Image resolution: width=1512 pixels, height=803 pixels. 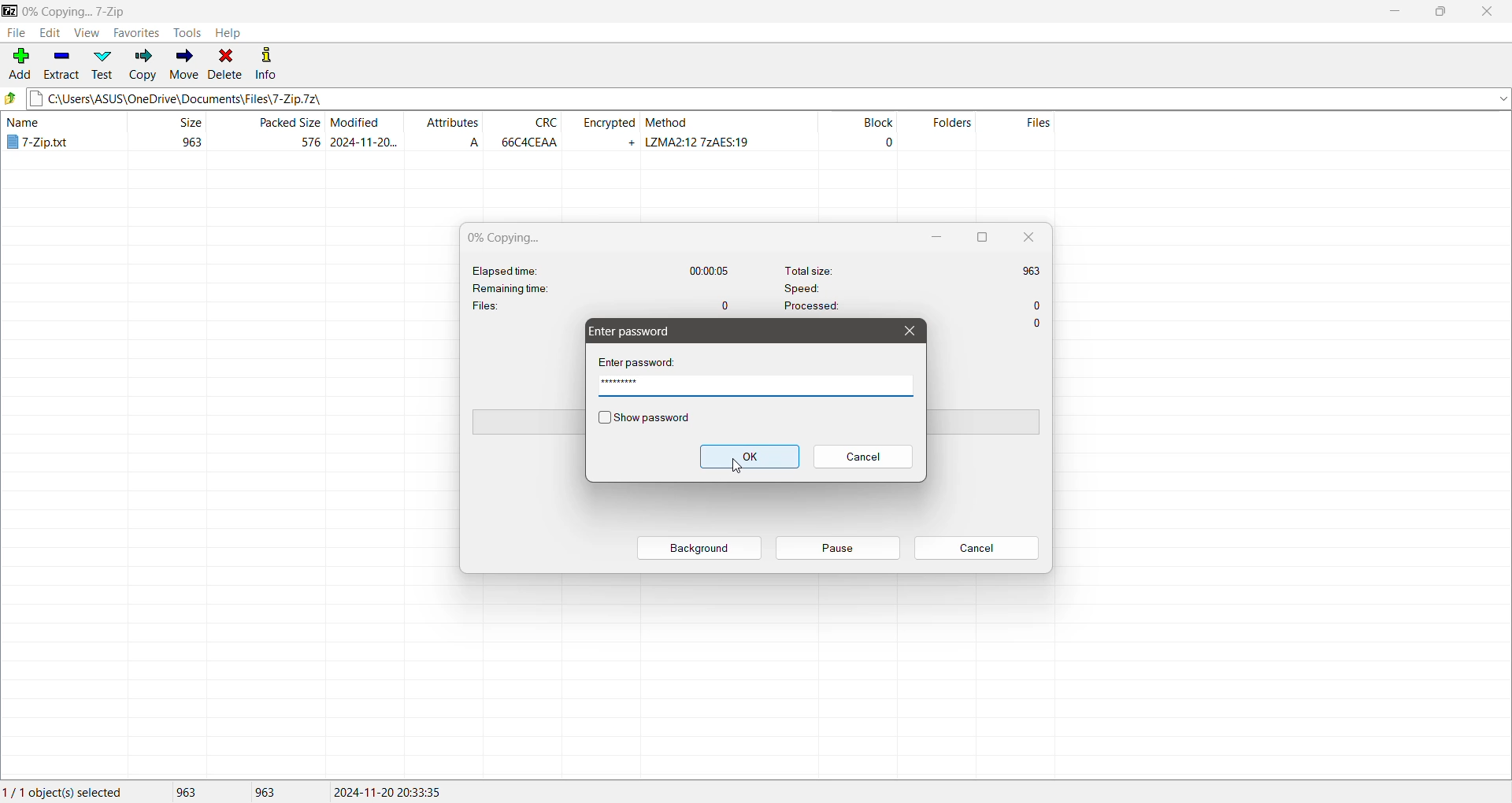 I want to click on File modified date, so click(x=365, y=132).